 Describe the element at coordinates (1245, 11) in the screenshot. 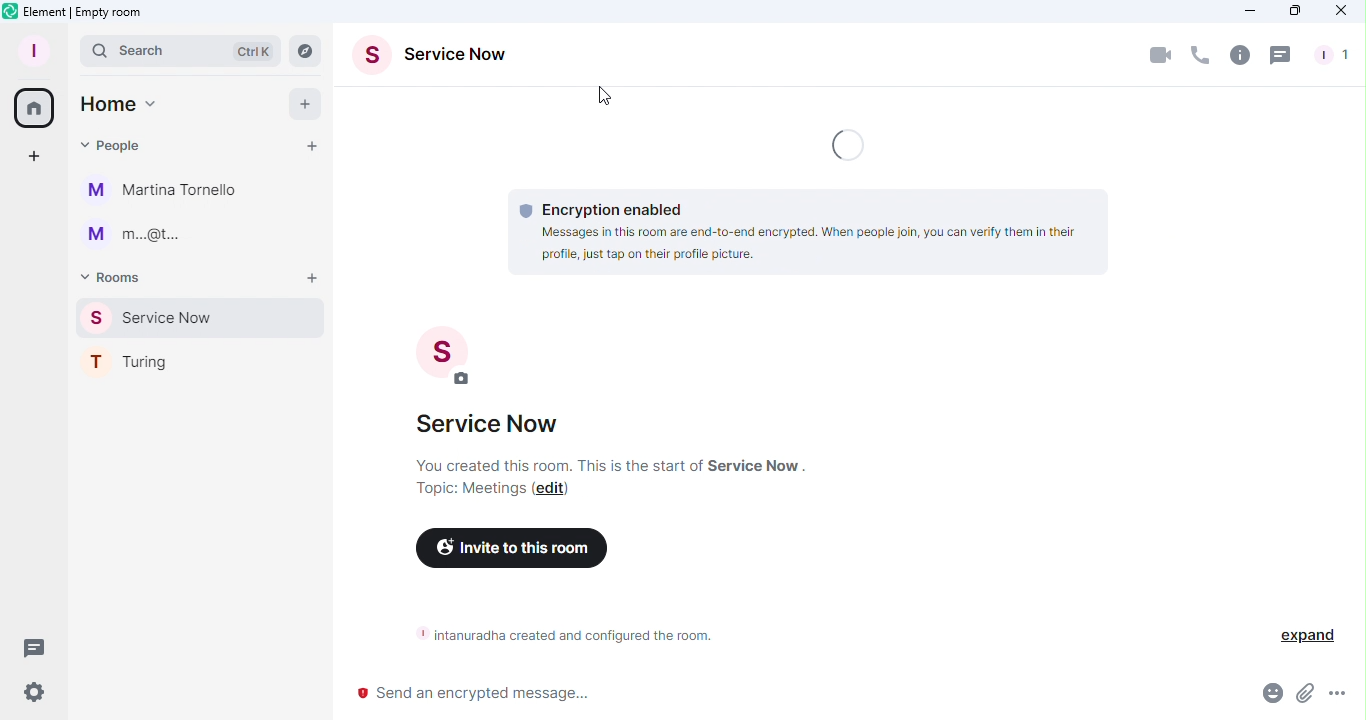

I see `Minimize` at that location.